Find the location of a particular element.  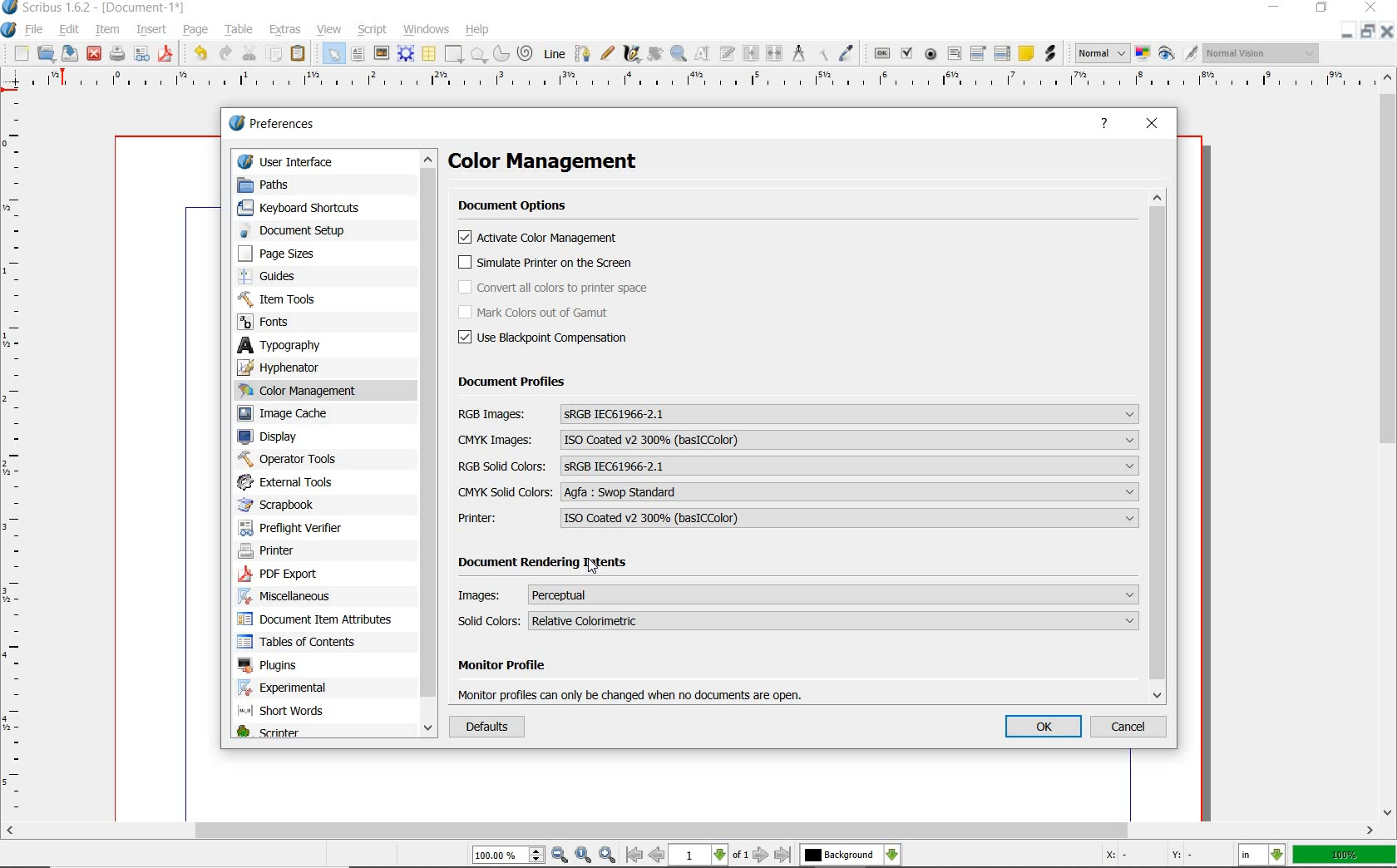

shape is located at coordinates (455, 54).